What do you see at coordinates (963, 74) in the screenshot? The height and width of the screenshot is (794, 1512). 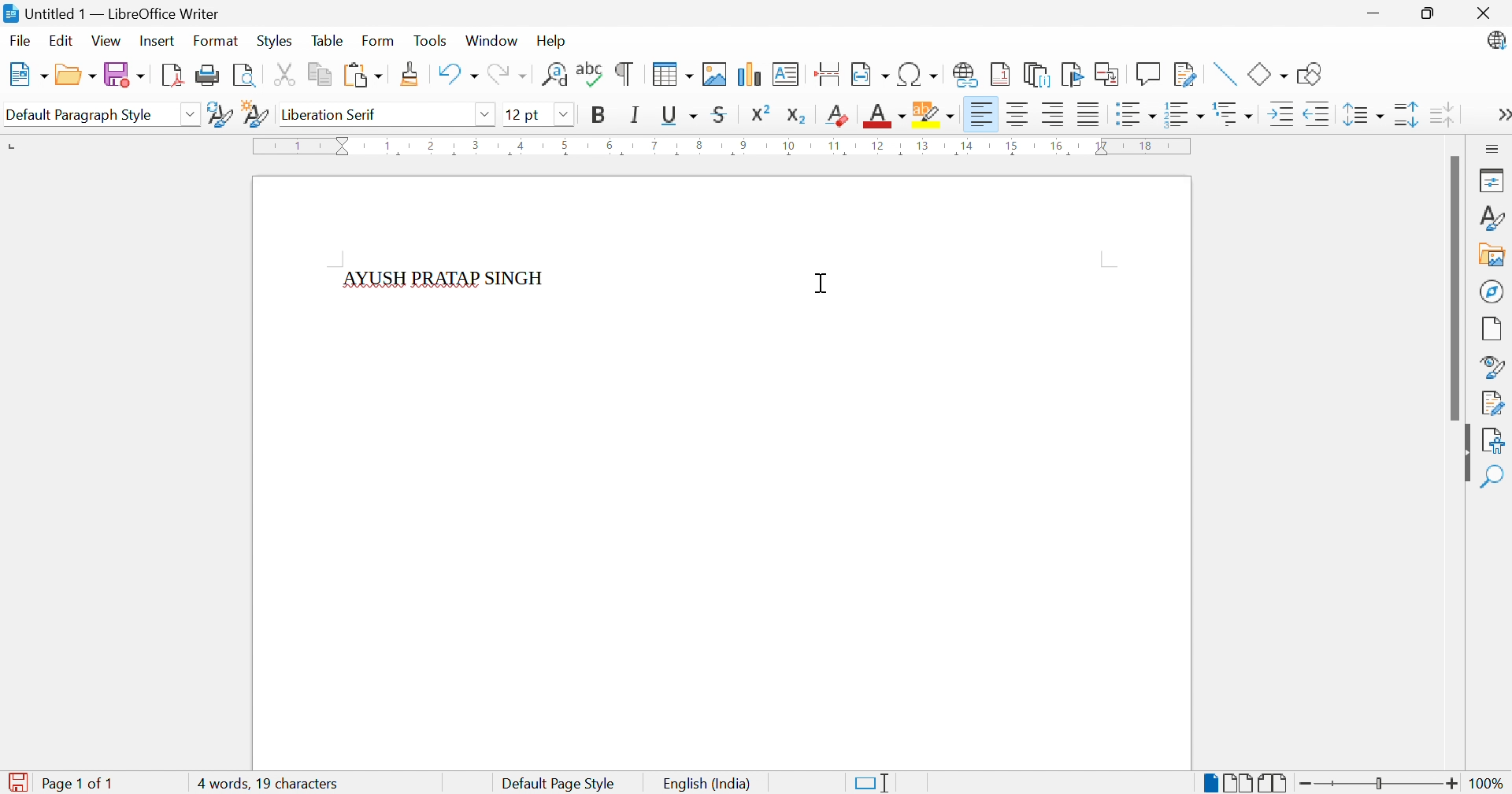 I see `Insert Hyperlink` at bounding box center [963, 74].